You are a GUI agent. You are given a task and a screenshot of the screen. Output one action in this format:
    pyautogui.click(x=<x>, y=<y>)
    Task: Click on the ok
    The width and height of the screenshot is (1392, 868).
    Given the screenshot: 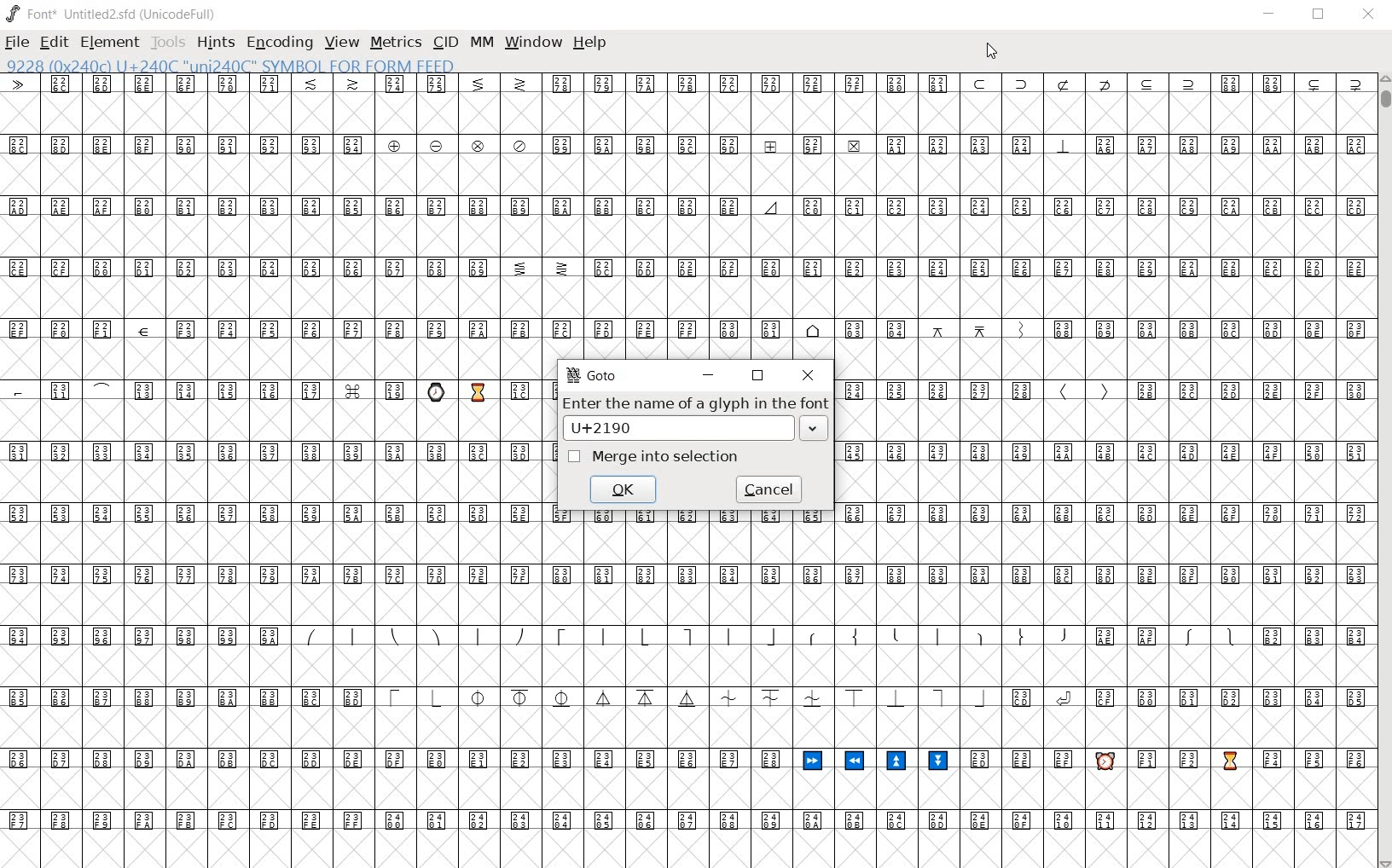 What is the action you would take?
    pyautogui.click(x=624, y=490)
    